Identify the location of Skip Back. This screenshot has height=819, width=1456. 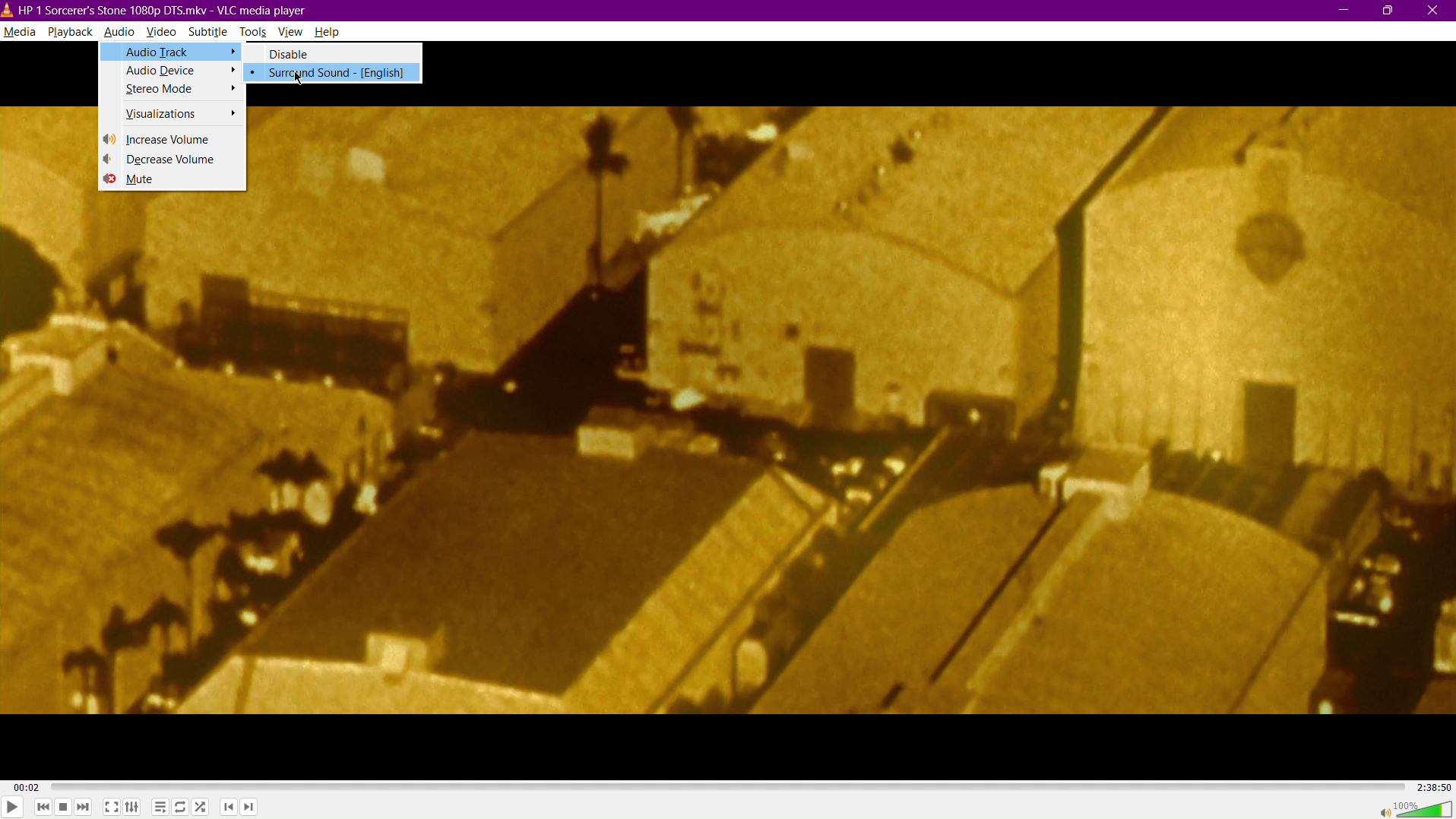
(43, 808).